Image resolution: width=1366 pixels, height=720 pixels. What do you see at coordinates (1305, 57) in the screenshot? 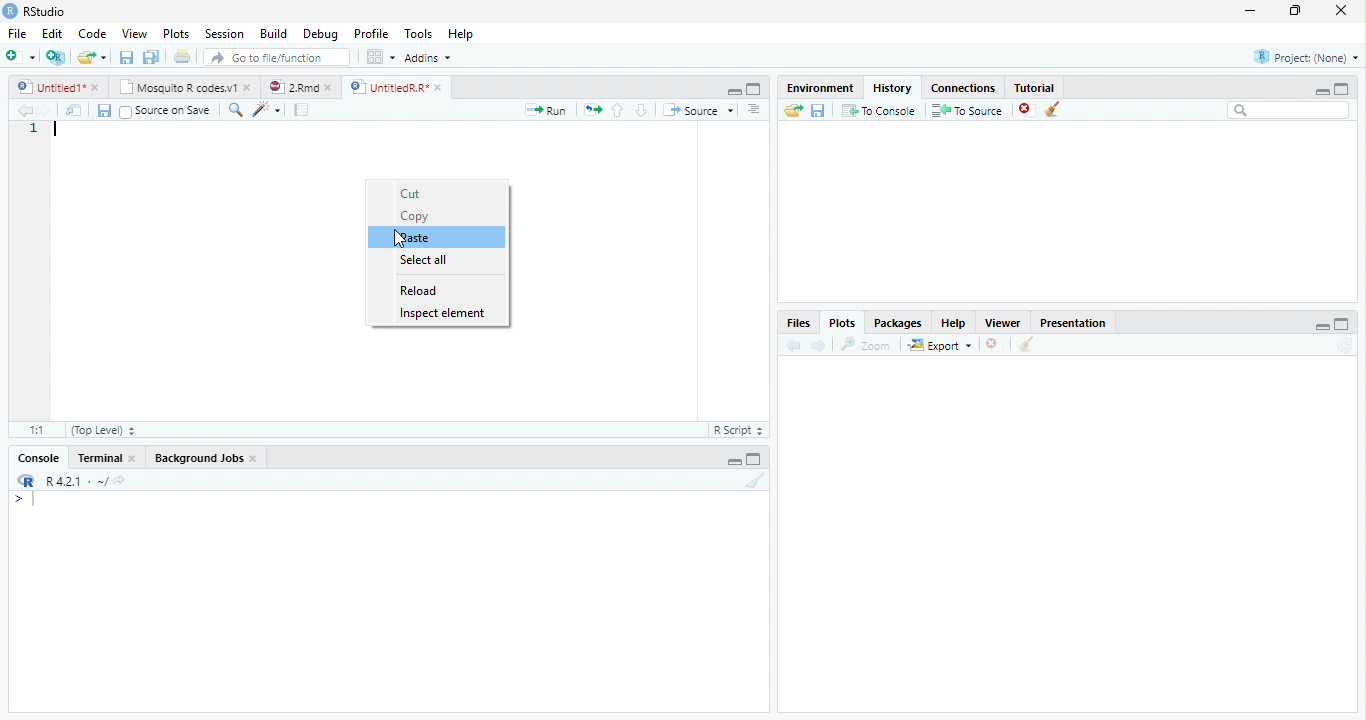
I see `Project: (None)` at bounding box center [1305, 57].